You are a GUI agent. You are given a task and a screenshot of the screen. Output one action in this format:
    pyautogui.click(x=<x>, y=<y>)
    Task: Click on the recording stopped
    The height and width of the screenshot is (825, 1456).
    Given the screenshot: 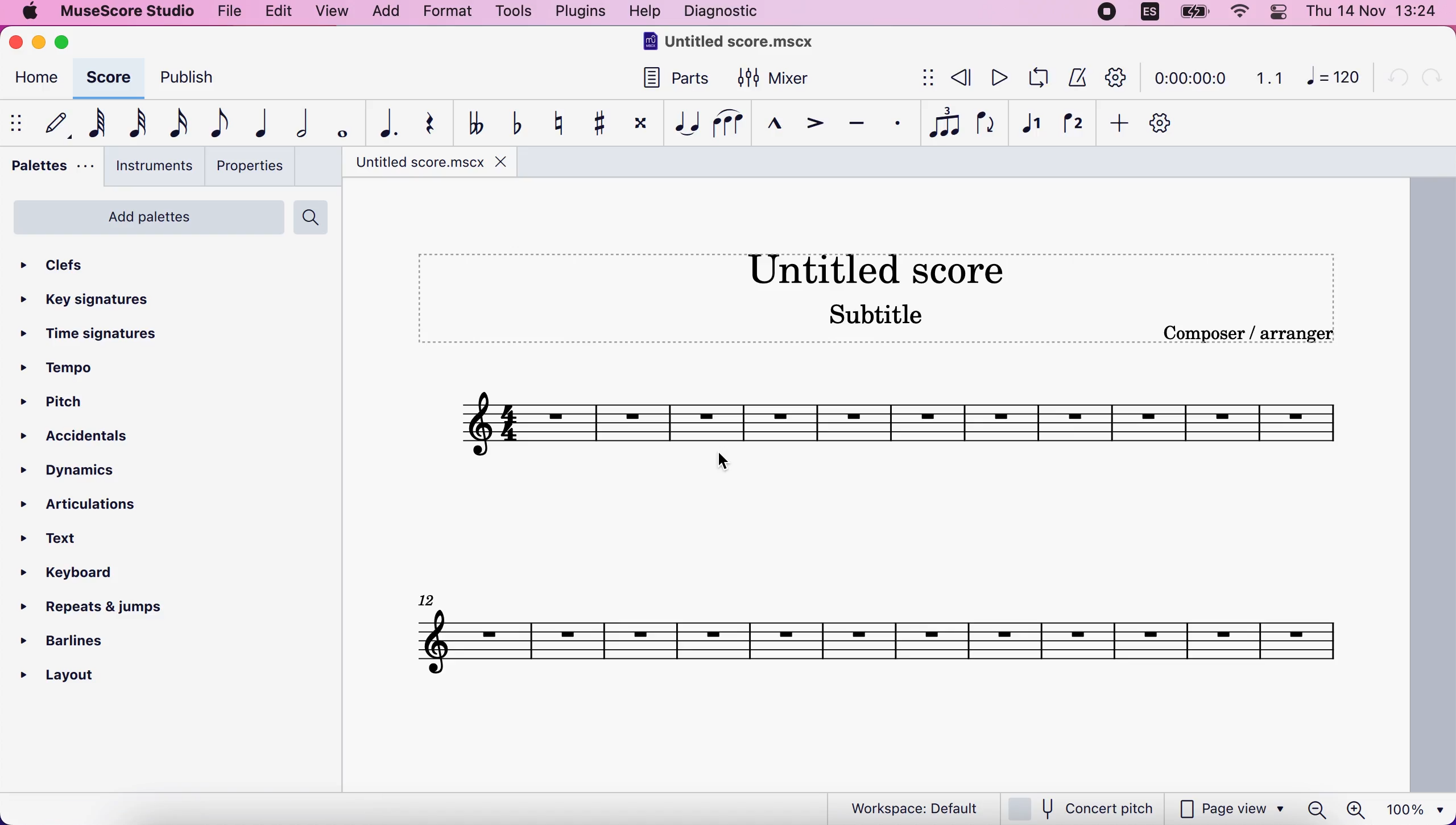 What is the action you would take?
    pyautogui.click(x=1103, y=14)
    